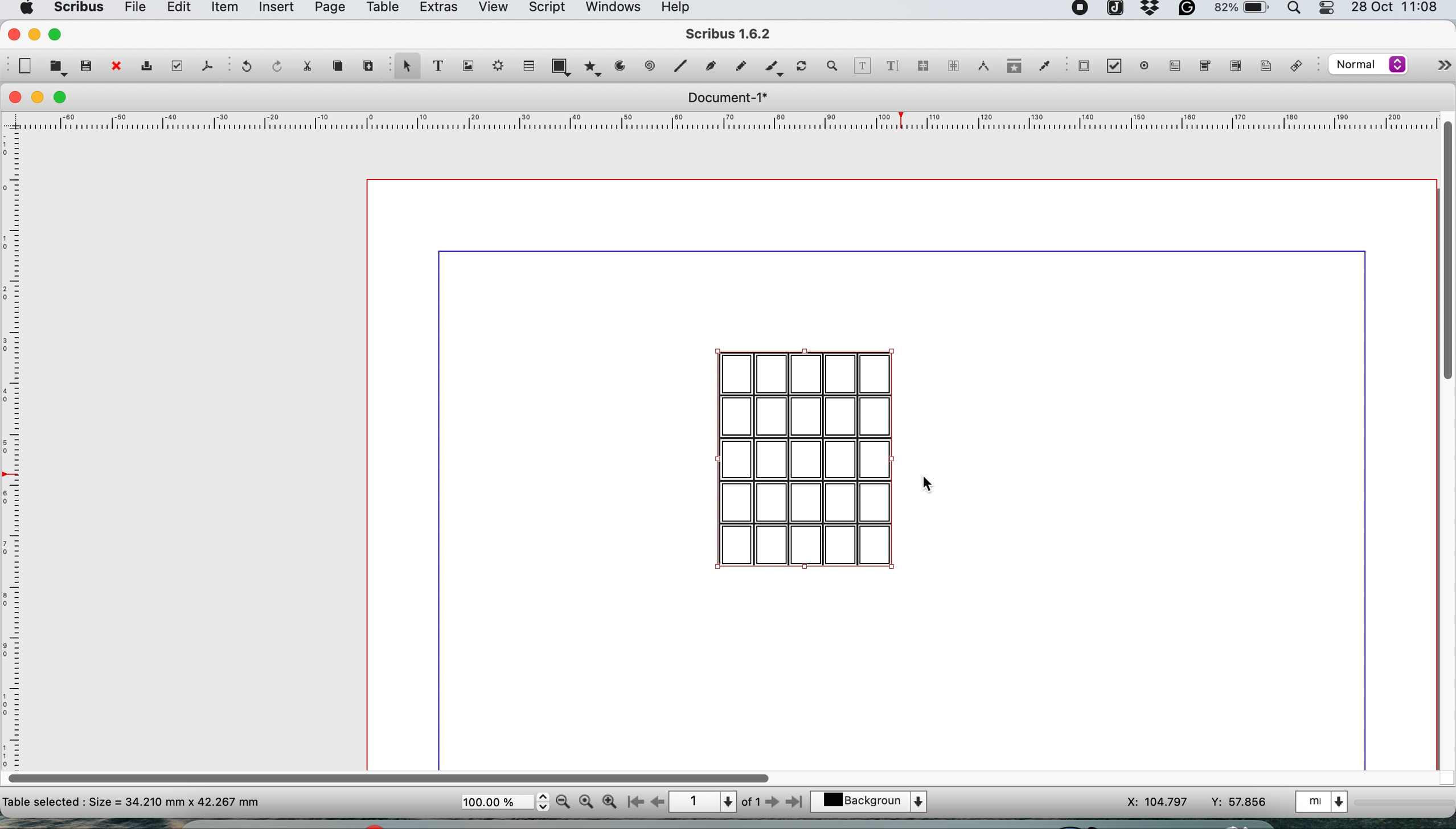 The width and height of the screenshot is (1456, 829). What do you see at coordinates (206, 65) in the screenshot?
I see `save as pdf` at bounding box center [206, 65].